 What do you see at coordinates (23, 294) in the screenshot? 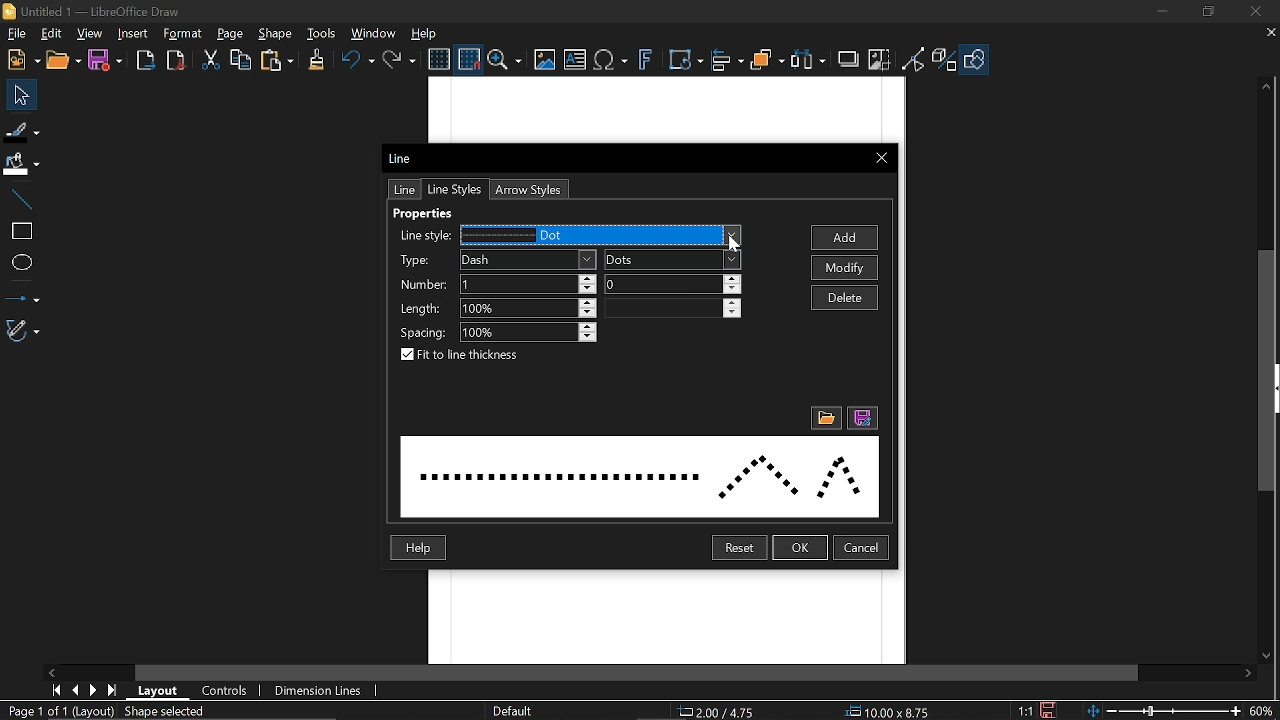
I see `Lines and arrows` at bounding box center [23, 294].